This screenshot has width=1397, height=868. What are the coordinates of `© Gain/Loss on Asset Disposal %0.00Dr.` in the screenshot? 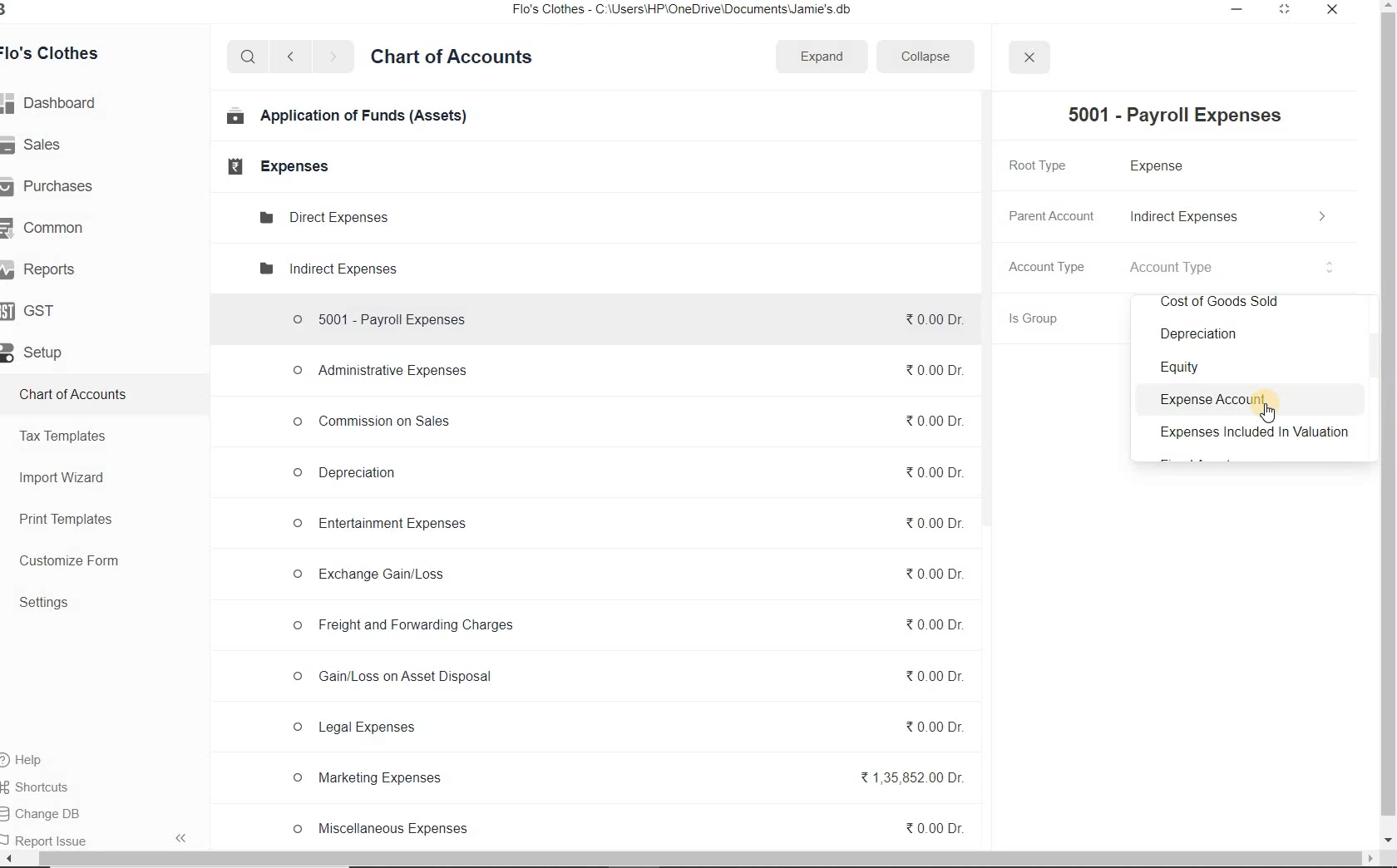 It's located at (625, 678).